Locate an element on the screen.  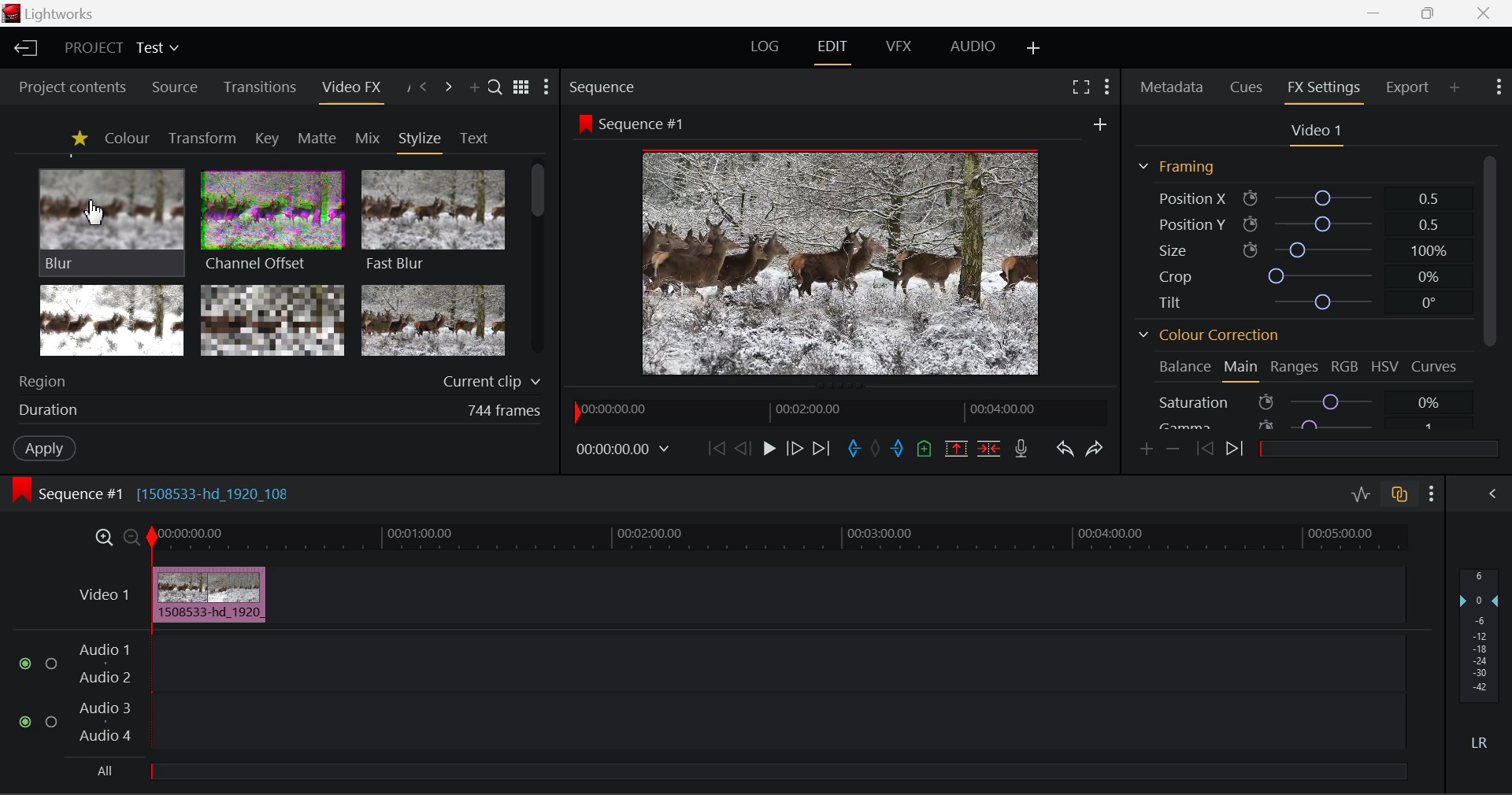
FX Settings Panel Open is located at coordinates (1321, 90).